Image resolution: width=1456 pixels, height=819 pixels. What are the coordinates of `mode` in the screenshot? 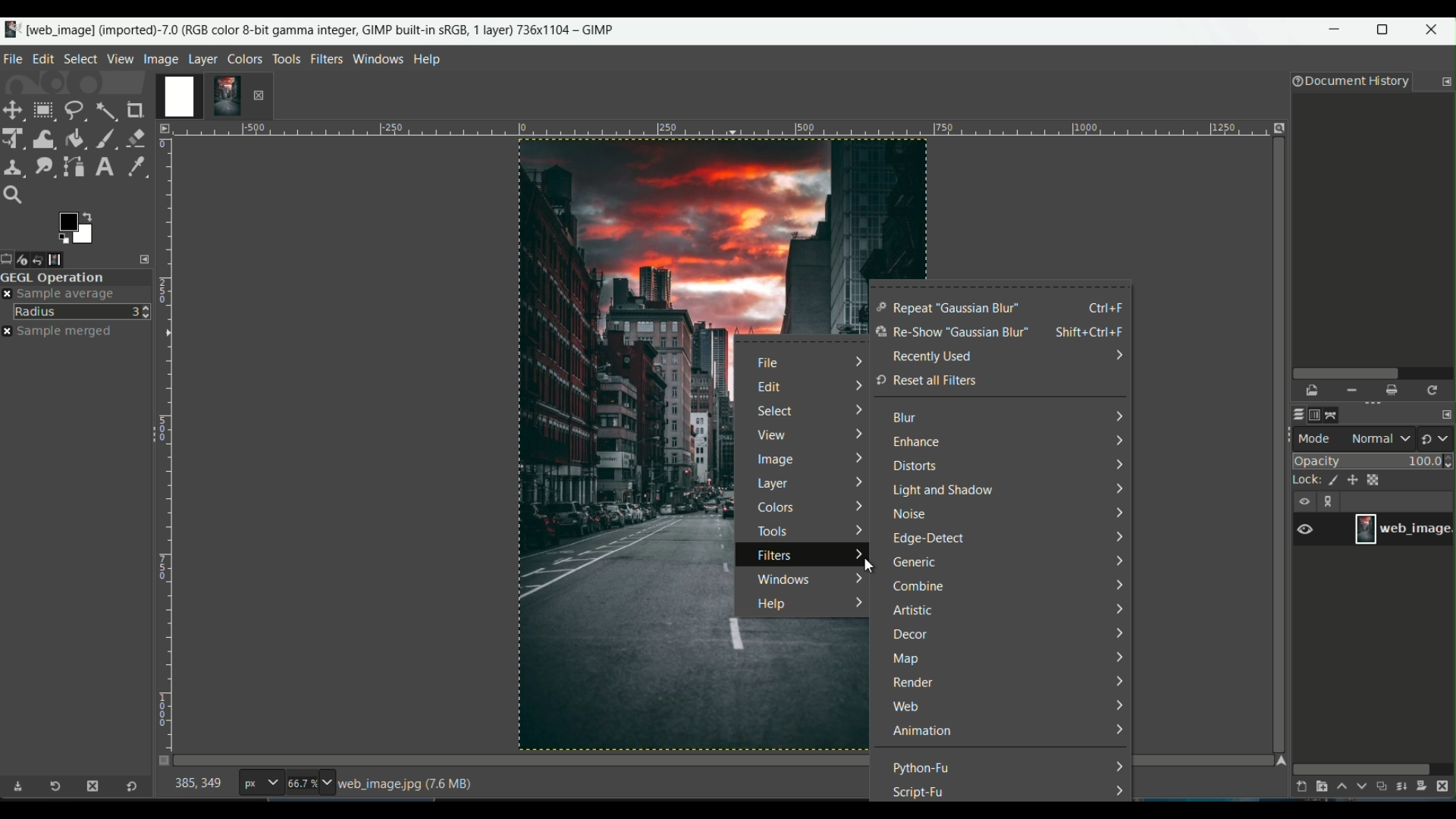 It's located at (1355, 438).